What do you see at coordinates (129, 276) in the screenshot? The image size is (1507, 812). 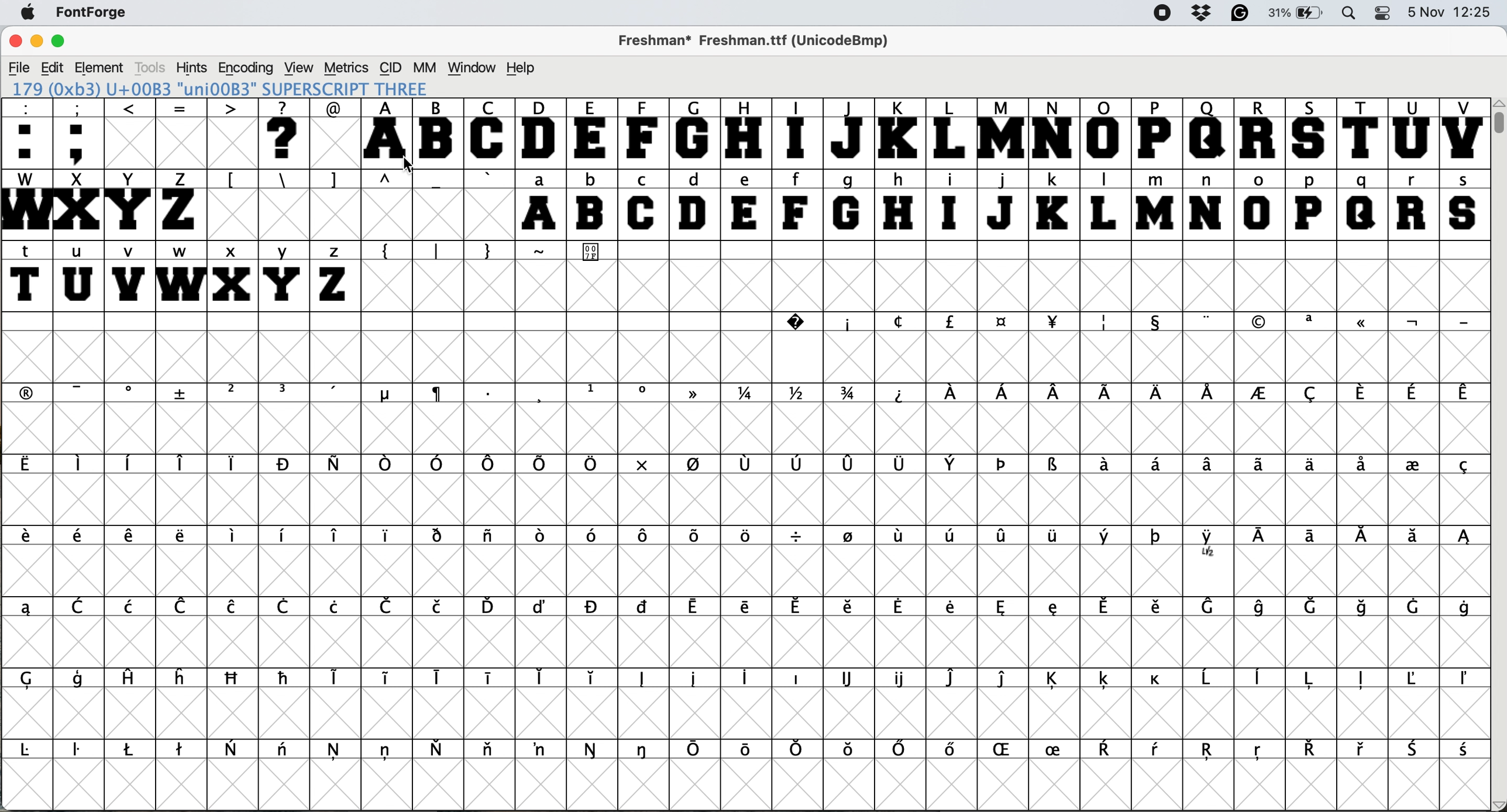 I see `v` at bounding box center [129, 276].